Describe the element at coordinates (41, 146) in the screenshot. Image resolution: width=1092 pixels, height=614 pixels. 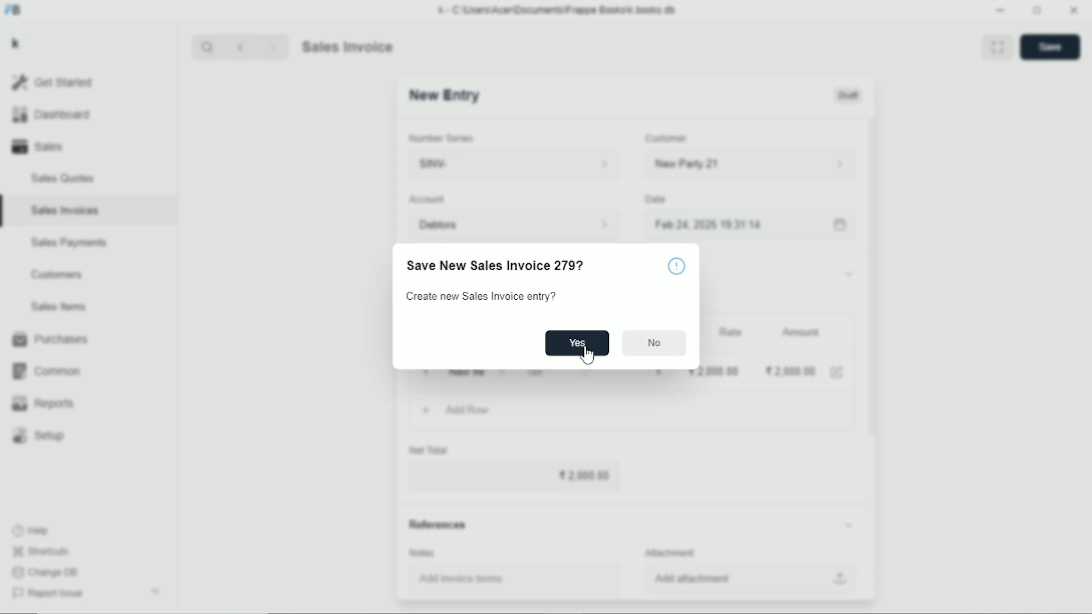
I see `Sales` at that location.